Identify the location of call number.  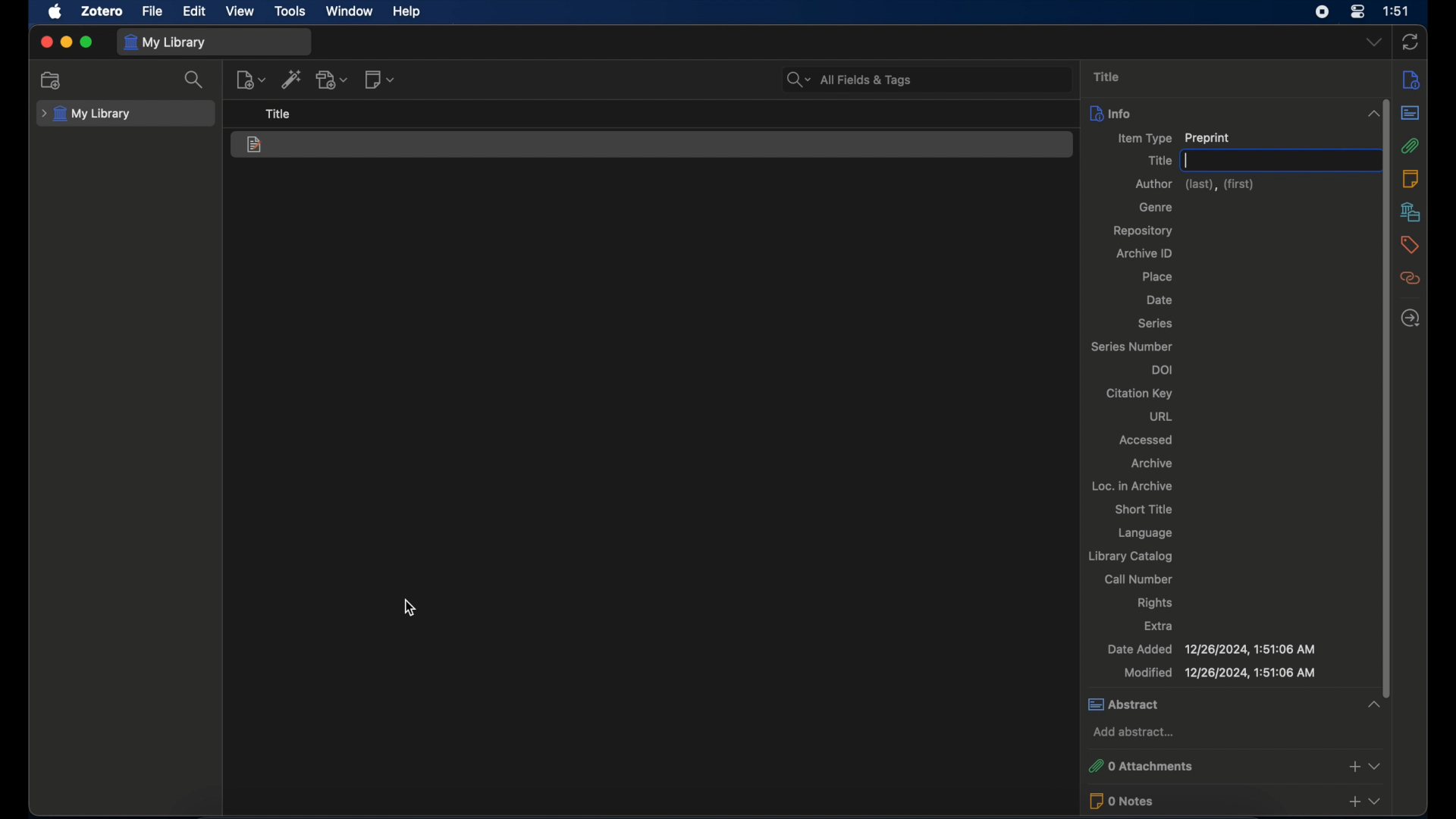
(1141, 579).